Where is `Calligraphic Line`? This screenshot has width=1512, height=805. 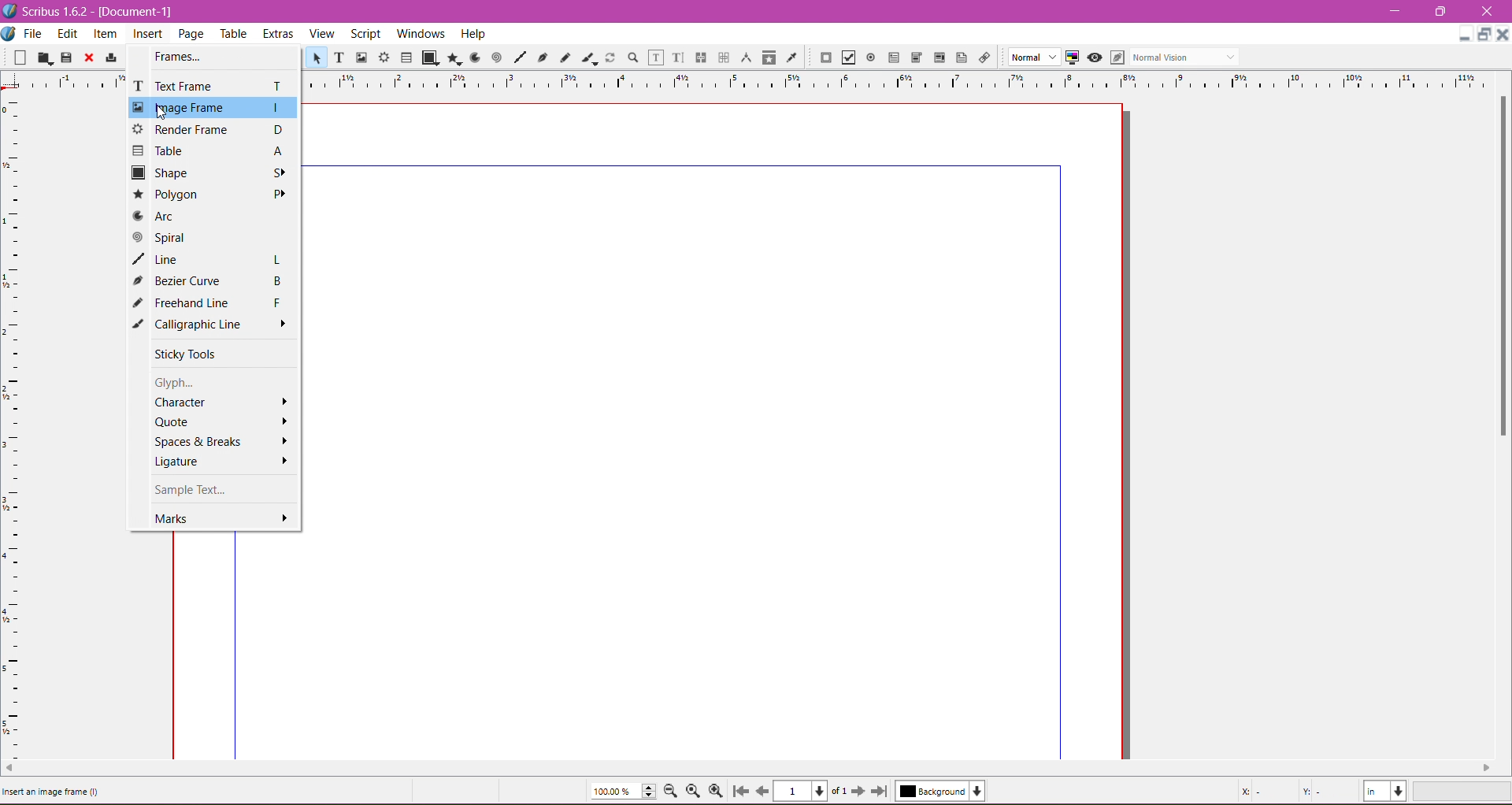
Calligraphic Line is located at coordinates (588, 57).